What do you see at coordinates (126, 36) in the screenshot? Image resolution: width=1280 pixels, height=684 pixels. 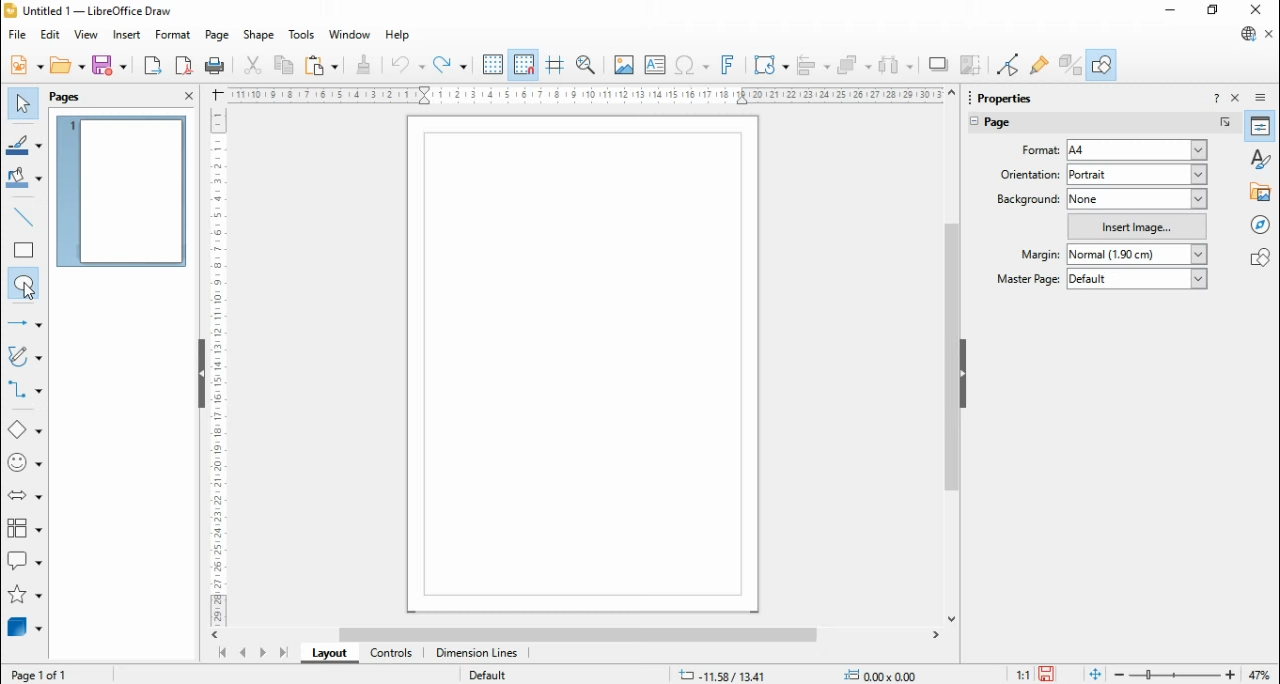 I see `insert` at bounding box center [126, 36].